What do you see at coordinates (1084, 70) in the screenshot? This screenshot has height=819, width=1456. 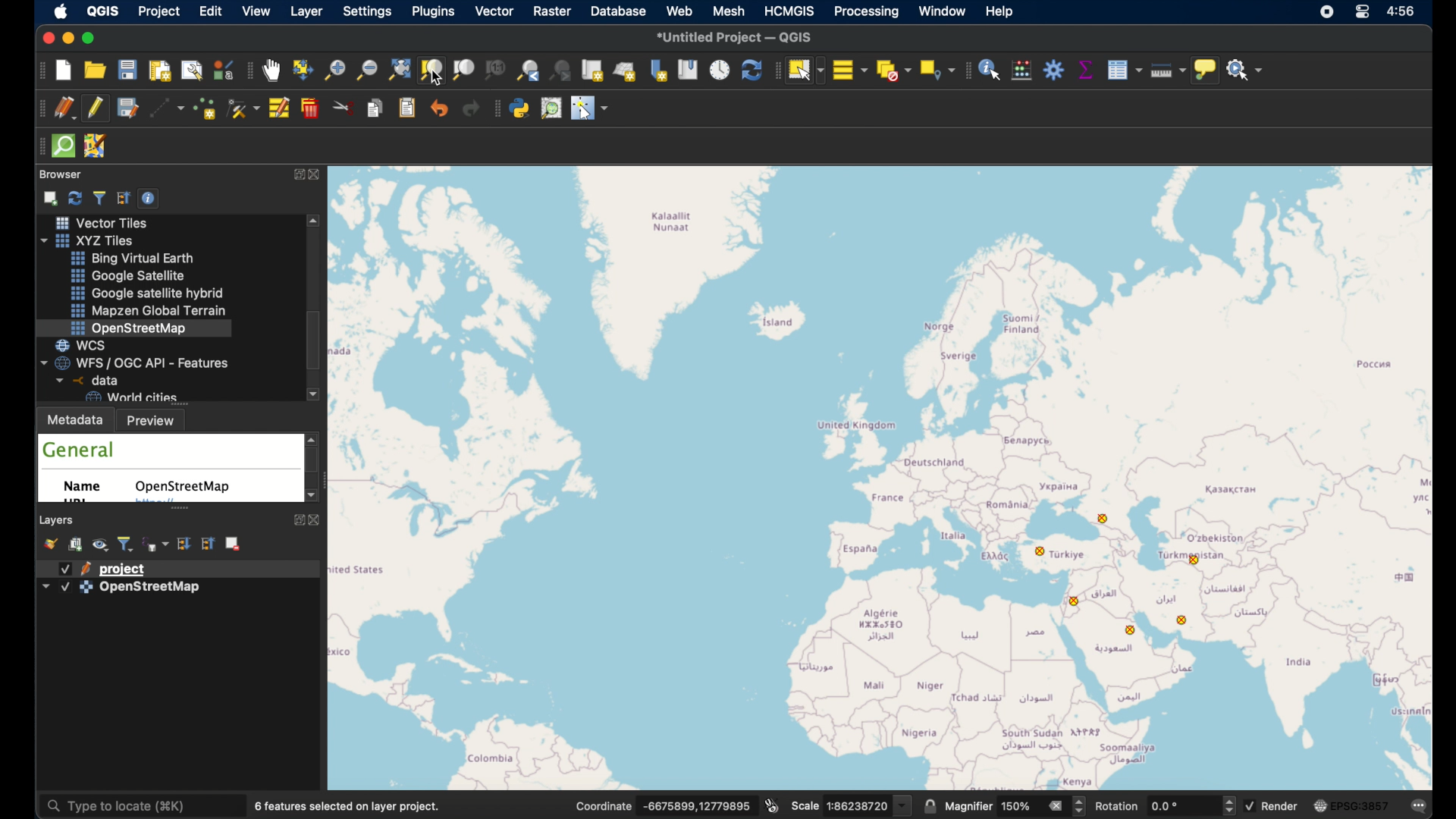 I see `statistical summary` at bounding box center [1084, 70].